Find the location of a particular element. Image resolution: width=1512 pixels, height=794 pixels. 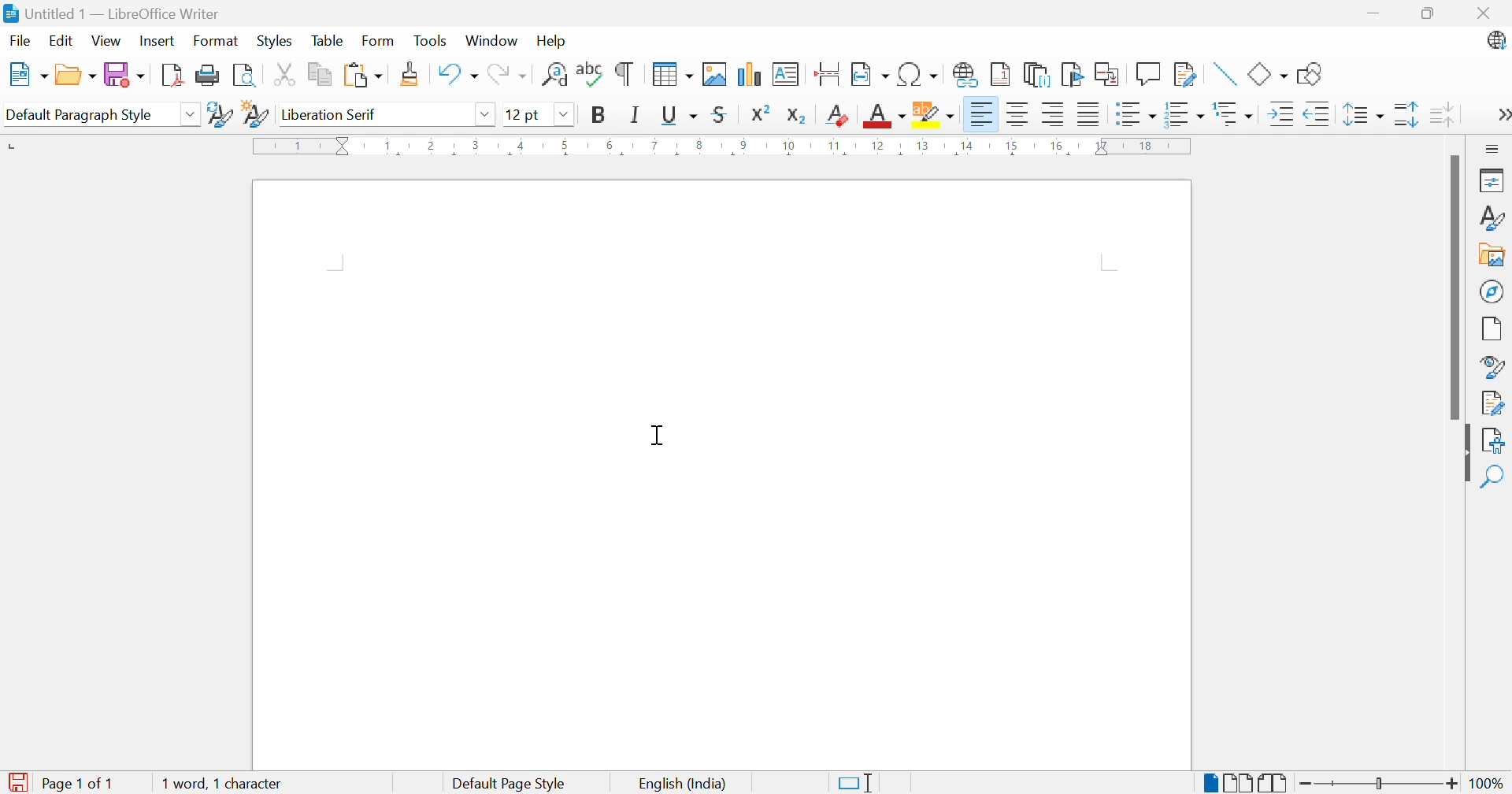

Open is located at coordinates (76, 76).